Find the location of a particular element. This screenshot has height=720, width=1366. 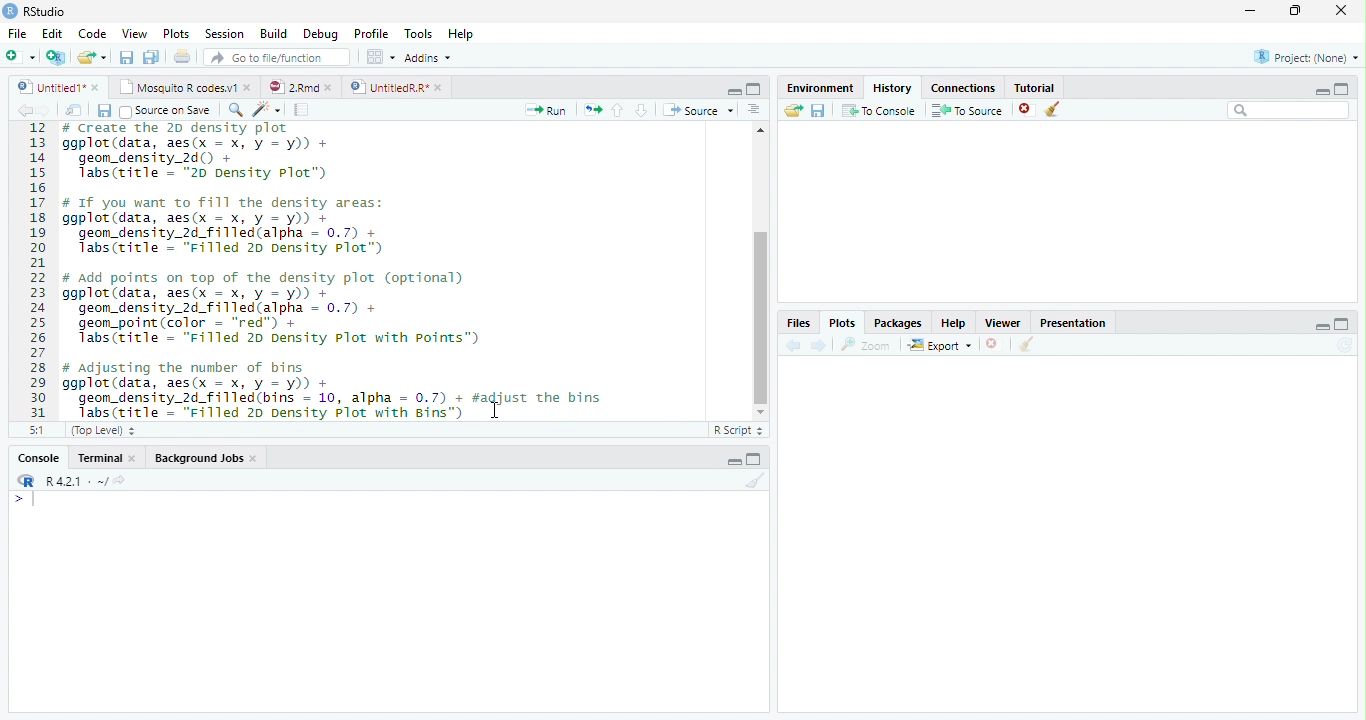

export is located at coordinates (939, 346).